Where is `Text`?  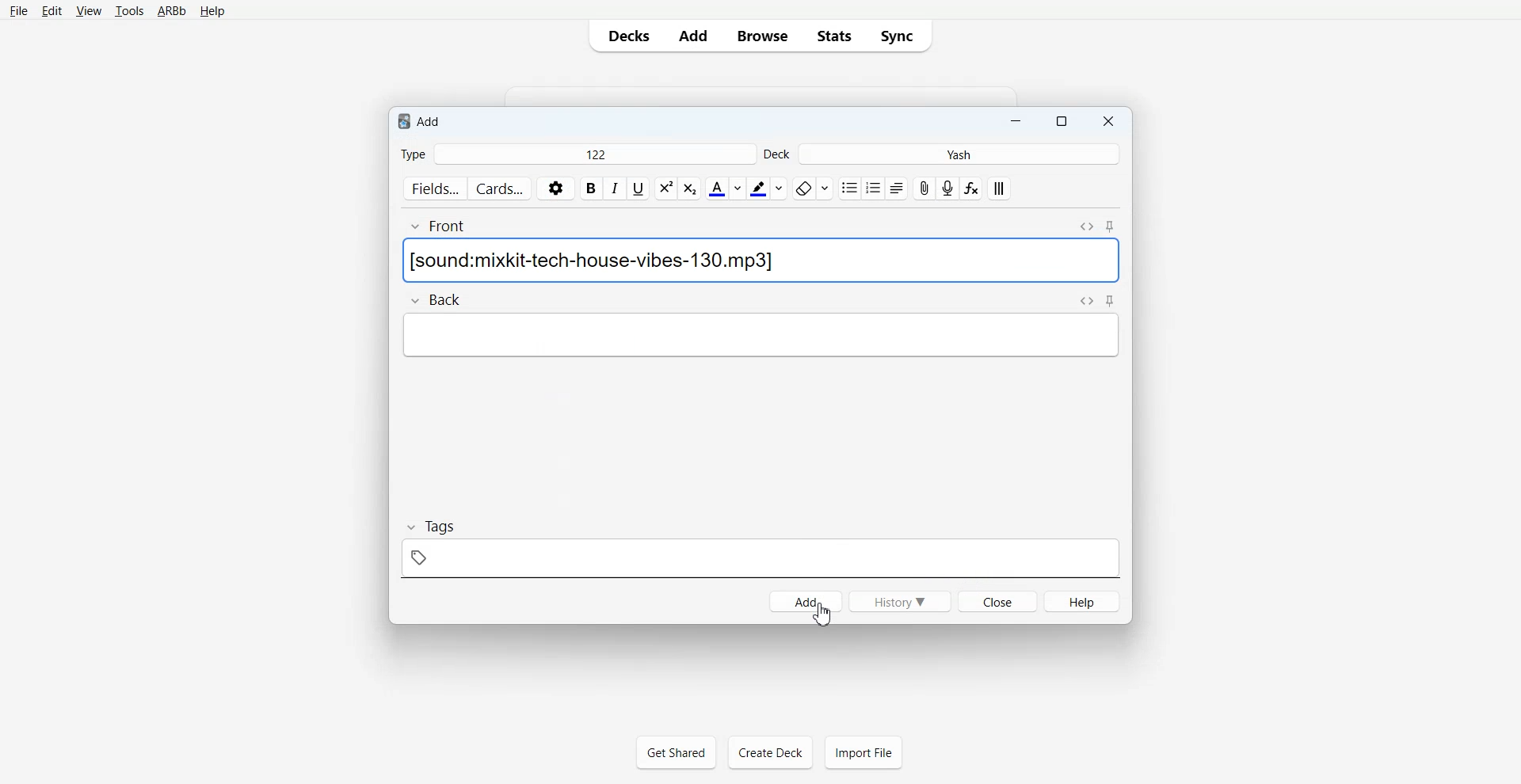 Text is located at coordinates (421, 120).